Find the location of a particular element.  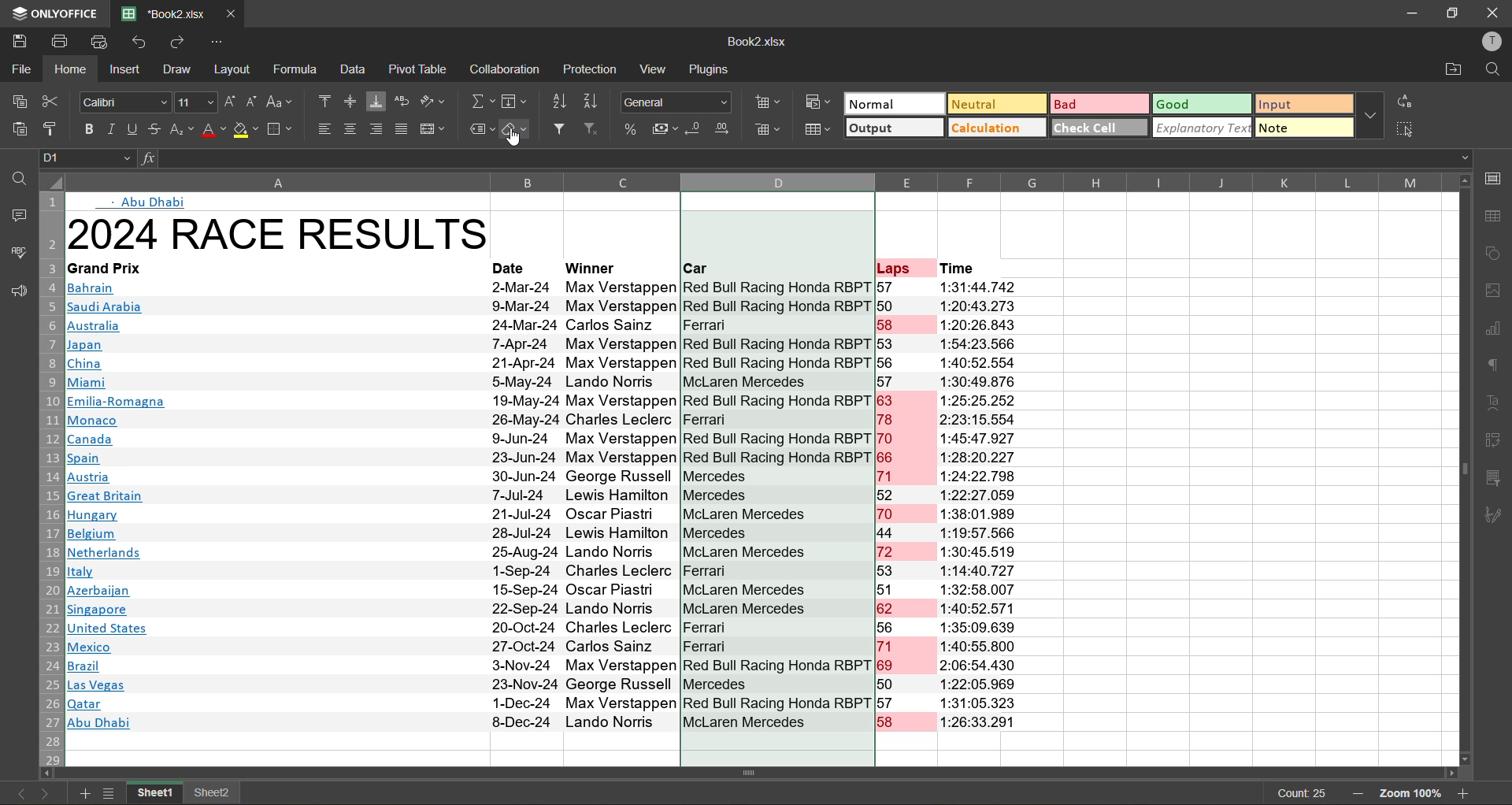

count 25 is located at coordinates (1299, 793).